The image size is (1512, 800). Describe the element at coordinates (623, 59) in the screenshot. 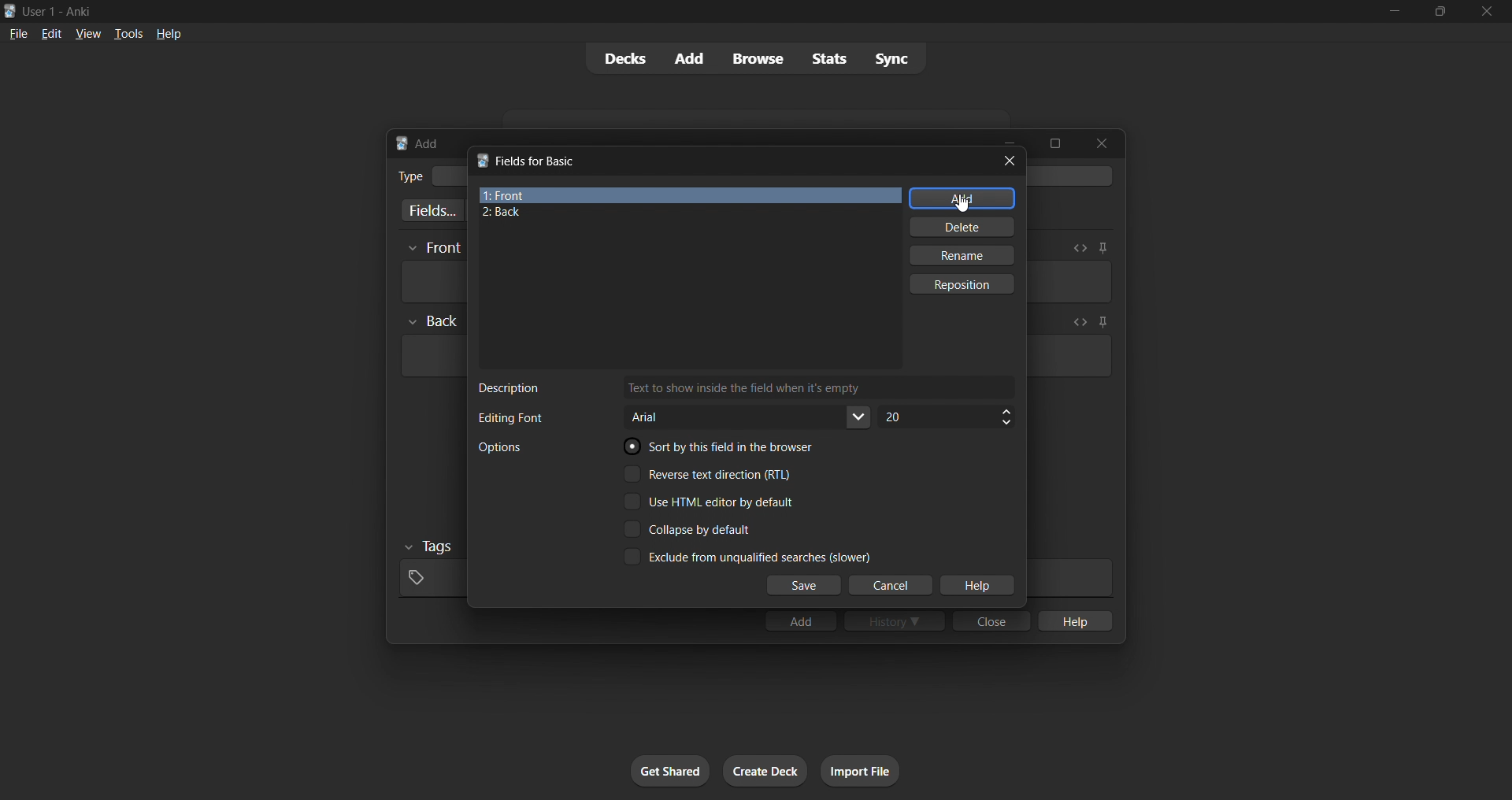

I see `decks` at that location.